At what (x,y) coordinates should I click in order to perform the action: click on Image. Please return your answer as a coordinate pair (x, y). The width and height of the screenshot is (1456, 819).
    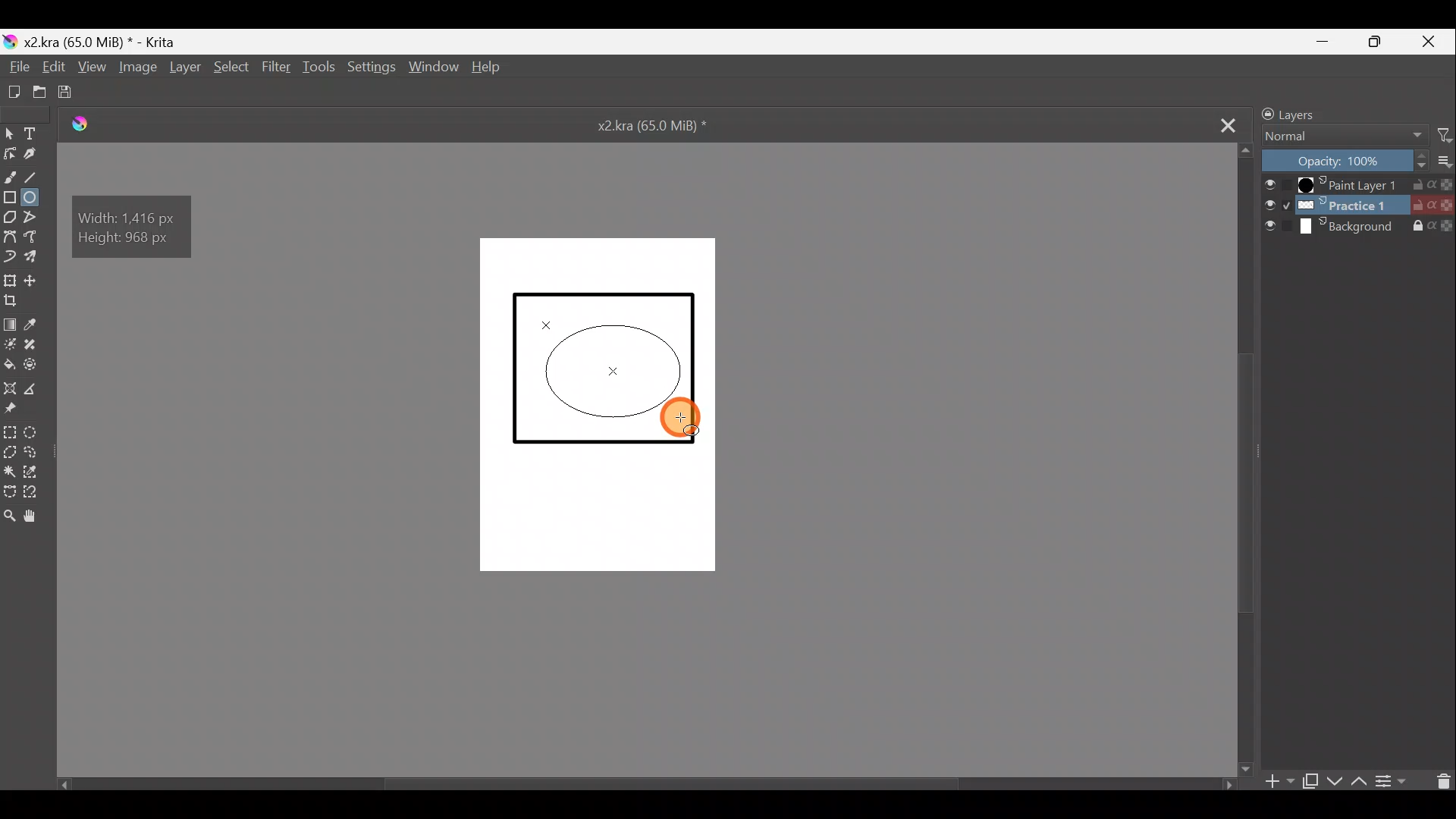
    Looking at the image, I should click on (139, 69).